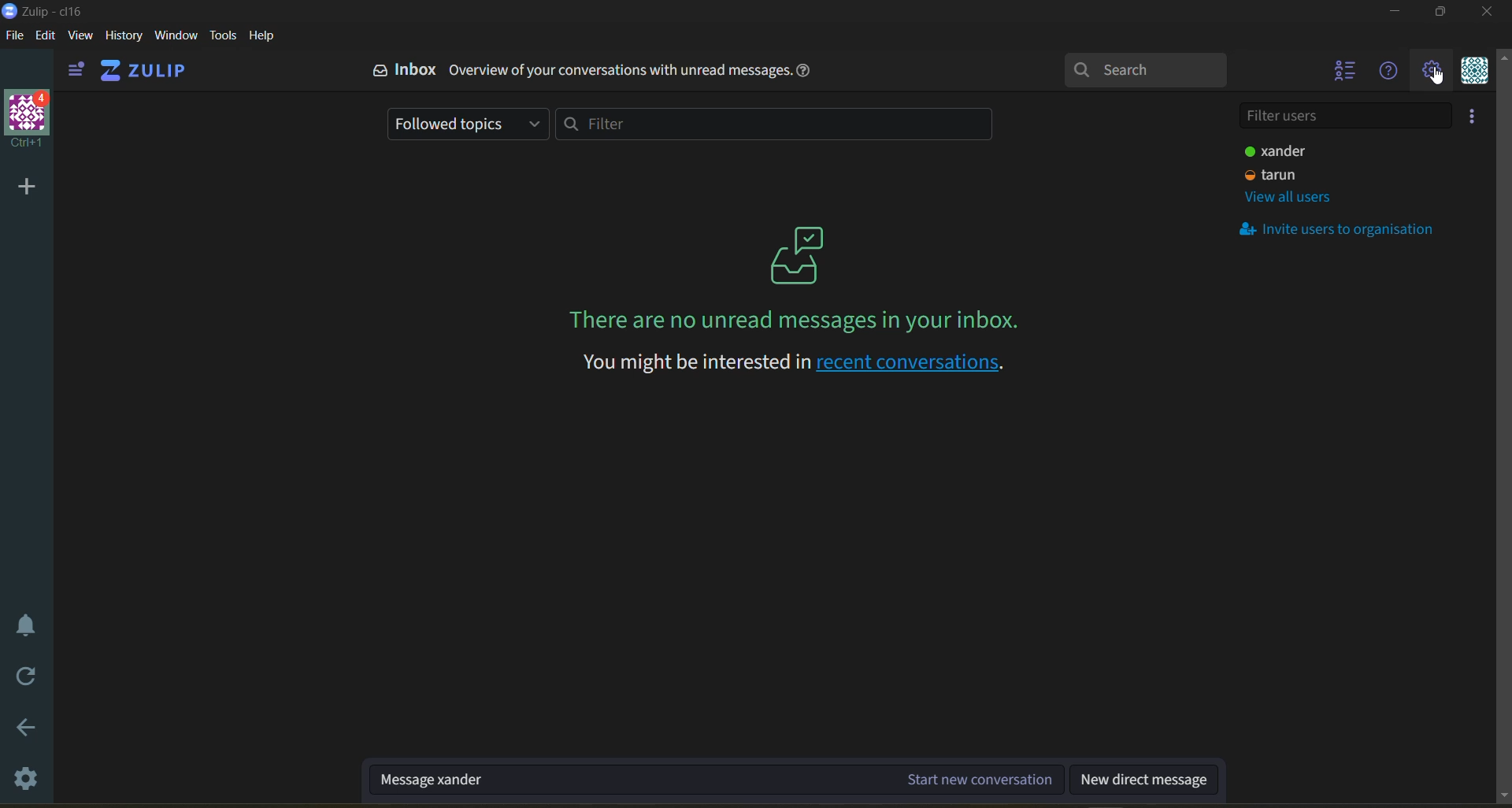  Describe the element at coordinates (124, 36) in the screenshot. I see `history` at that location.